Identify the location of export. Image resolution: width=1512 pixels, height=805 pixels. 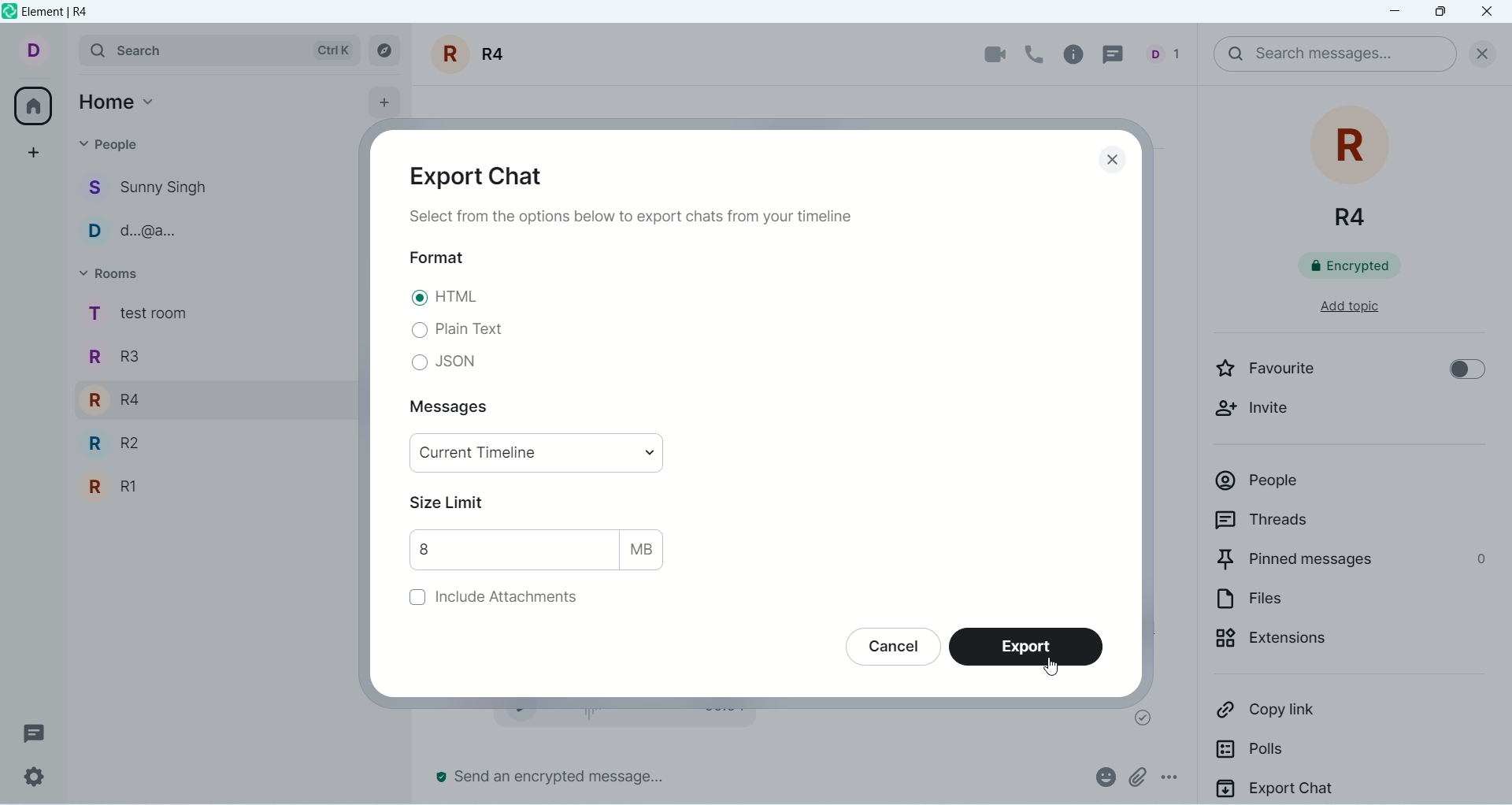
(1032, 647).